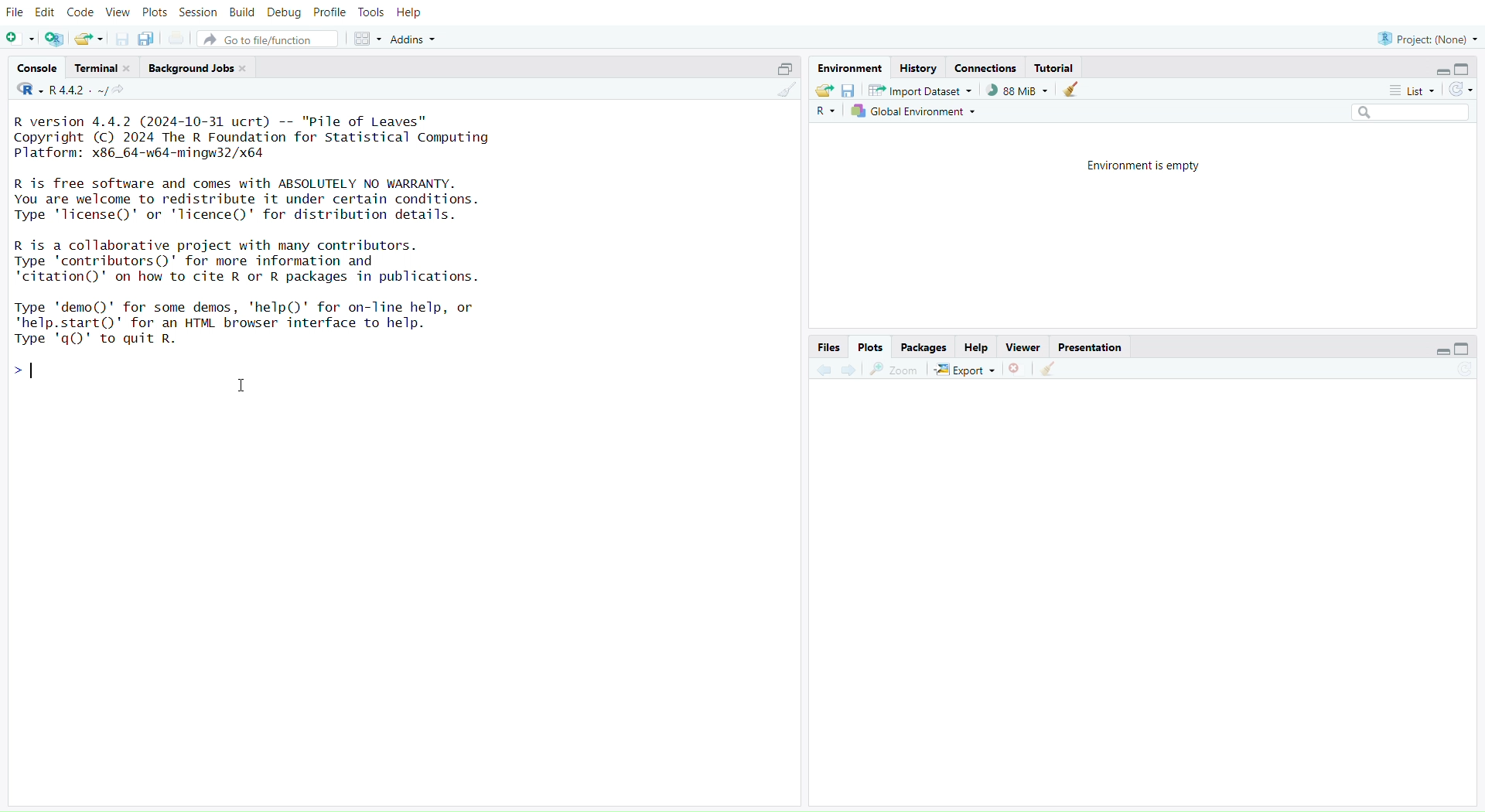 The image size is (1485, 812). What do you see at coordinates (1440, 352) in the screenshot?
I see `expand` at bounding box center [1440, 352].